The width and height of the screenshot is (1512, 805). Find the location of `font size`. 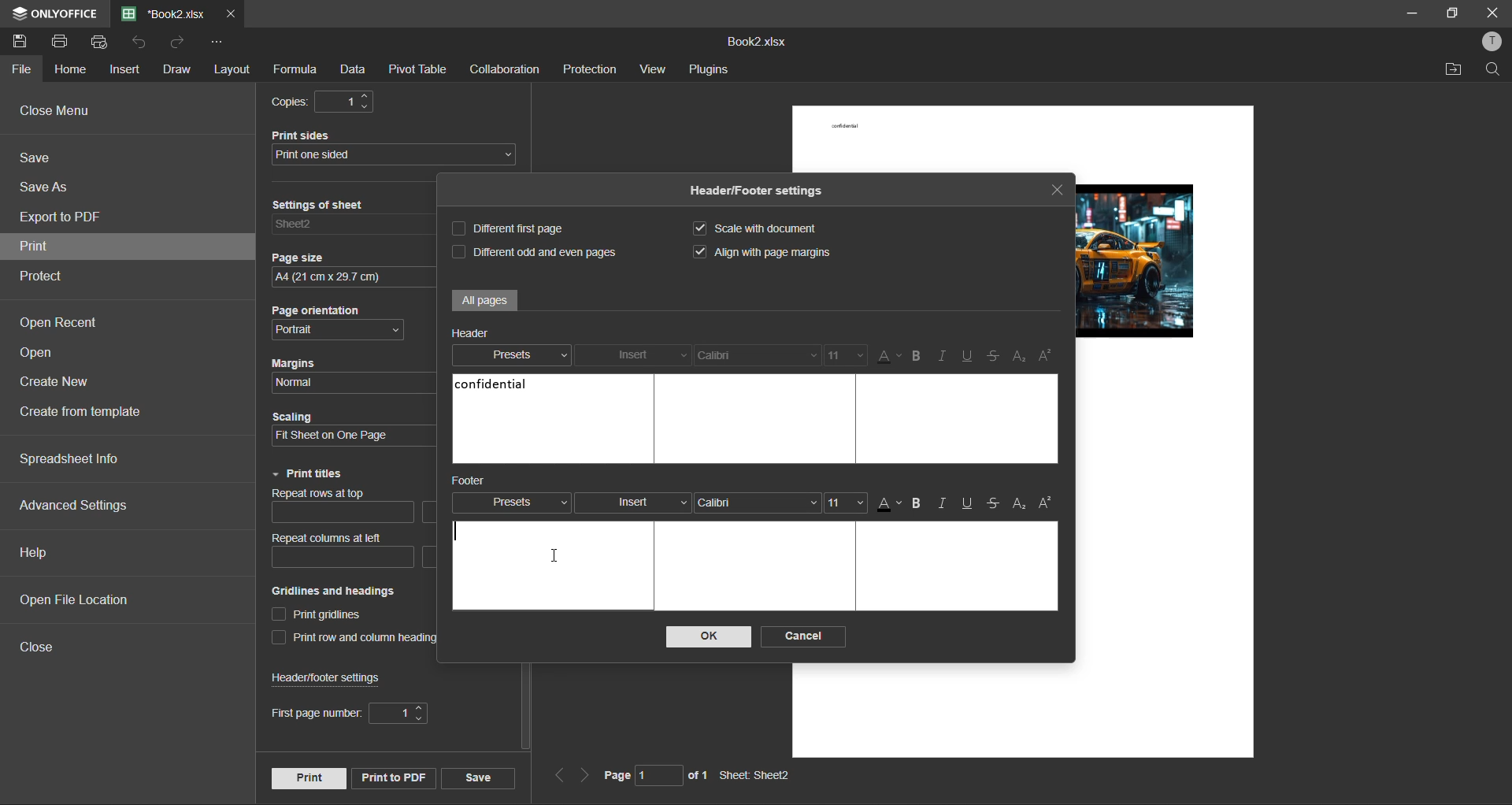

font size is located at coordinates (847, 355).